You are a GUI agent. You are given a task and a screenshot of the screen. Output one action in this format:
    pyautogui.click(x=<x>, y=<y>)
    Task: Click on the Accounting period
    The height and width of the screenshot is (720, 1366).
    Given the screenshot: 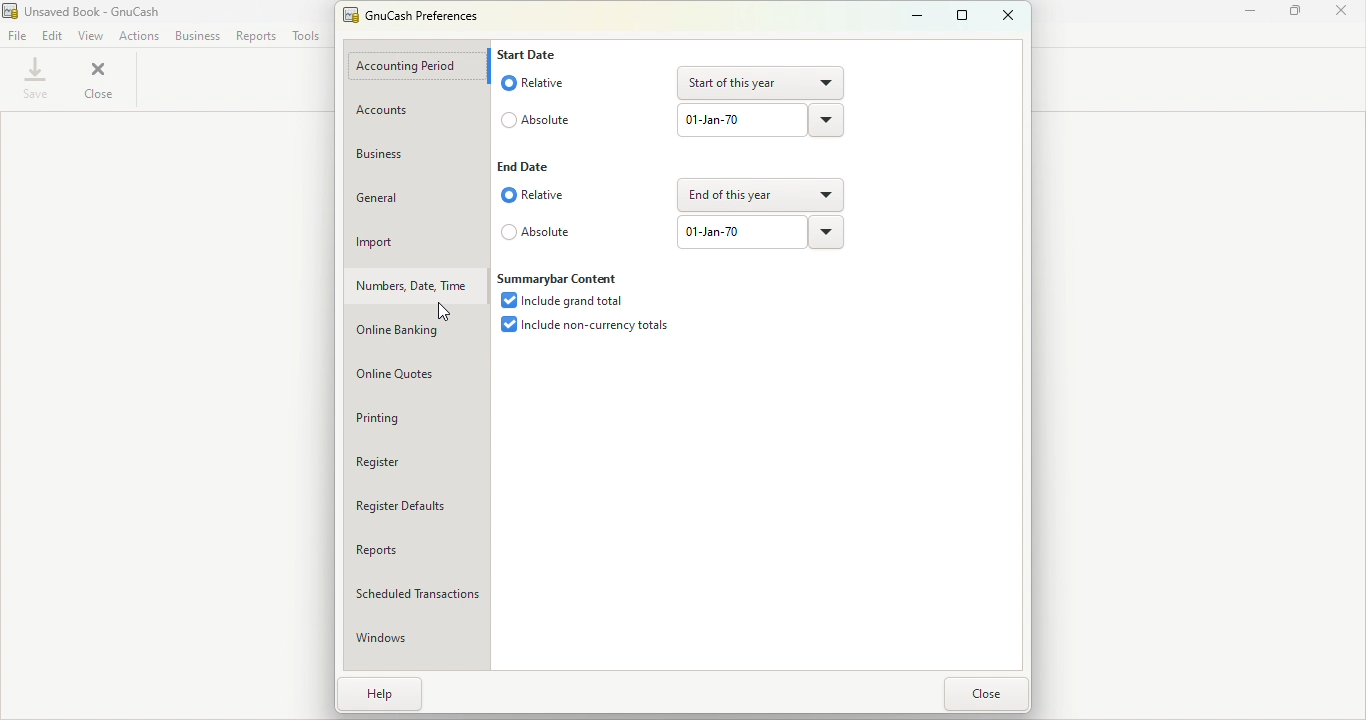 What is the action you would take?
    pyautogui.click(x=419, y=68)
    